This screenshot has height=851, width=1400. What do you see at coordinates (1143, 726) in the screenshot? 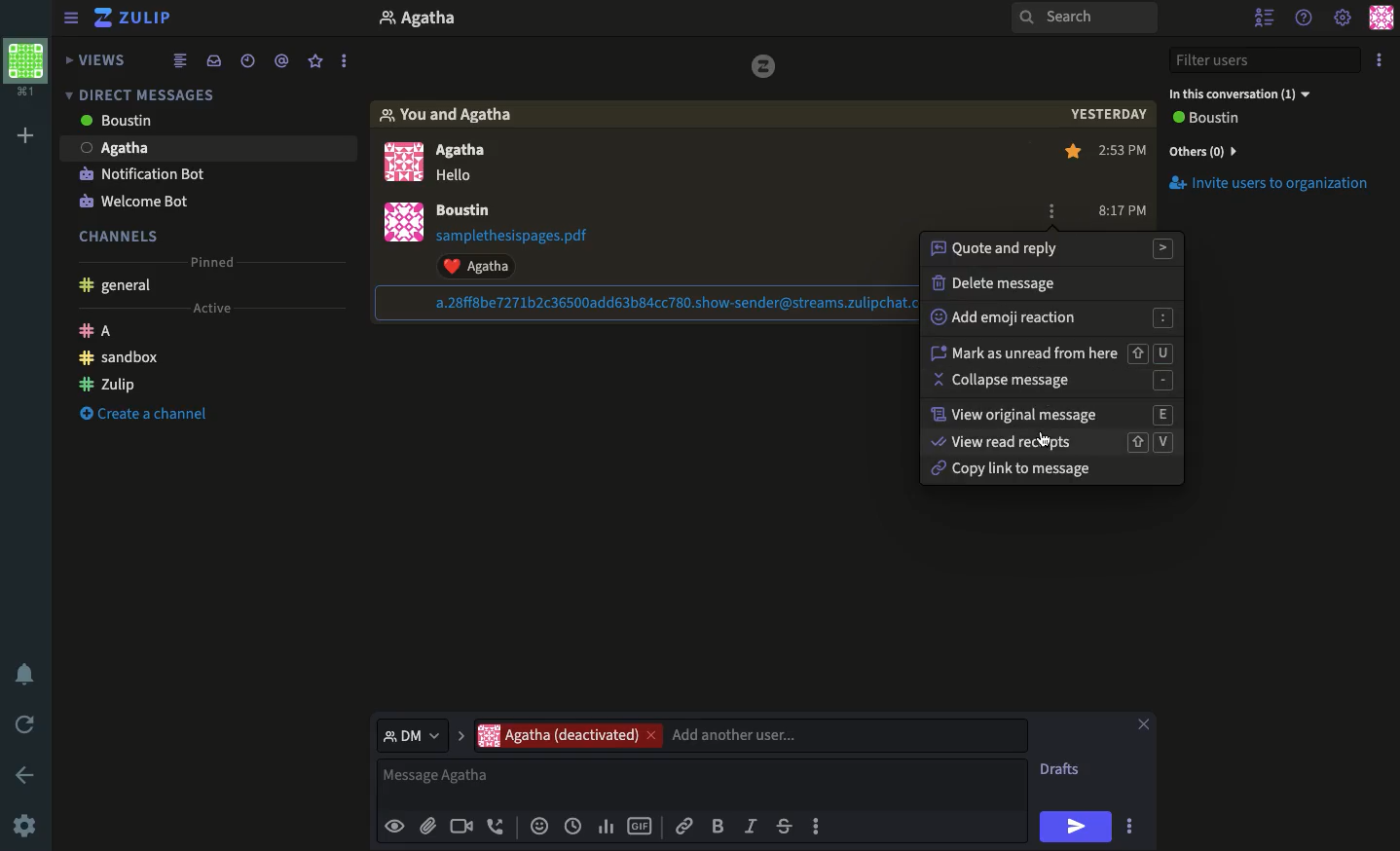
I see `Close` at bounding box center [1143, 726].